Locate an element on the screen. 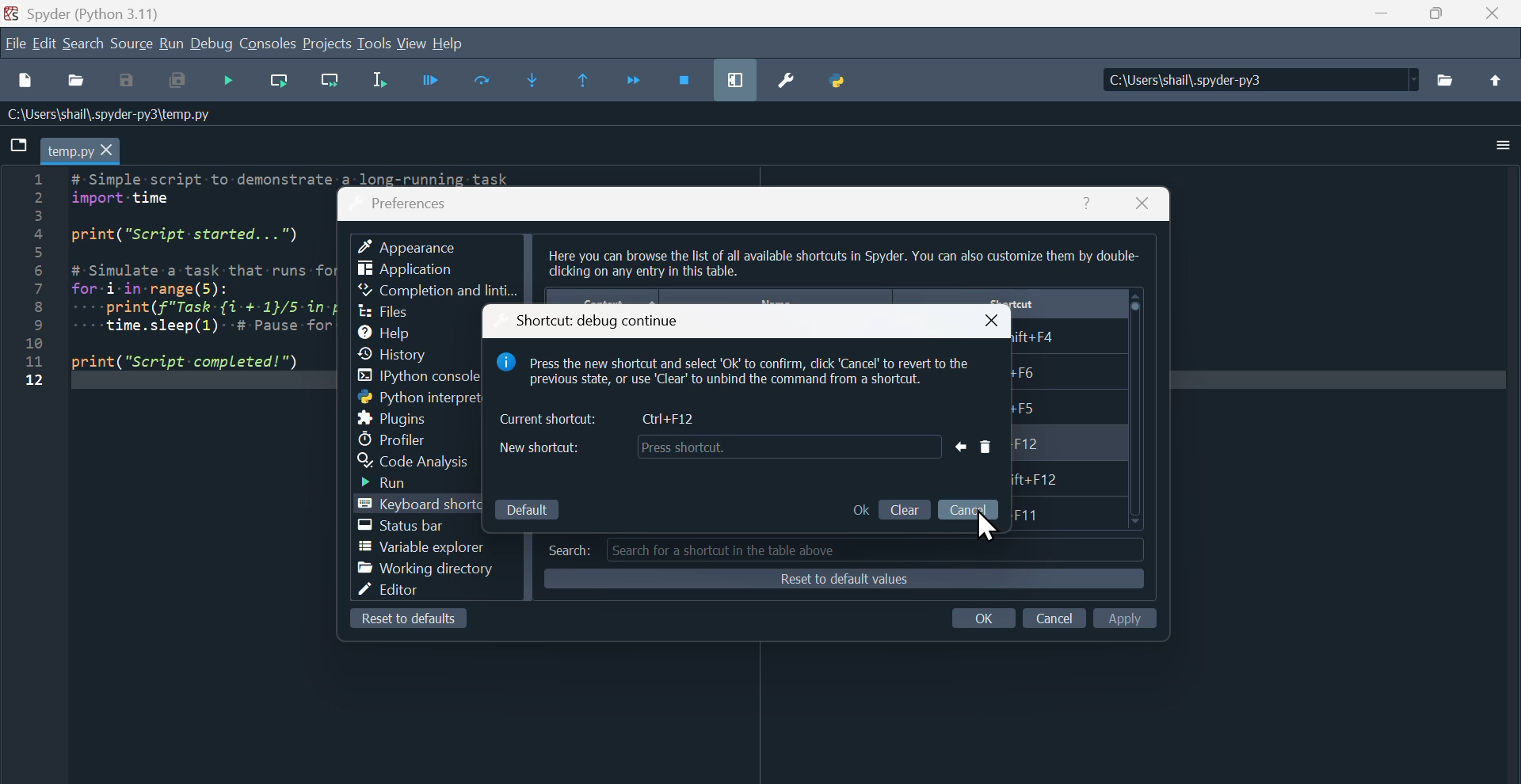 The image size is (1521, 784). Completion and is located at coordinates (438, 291).